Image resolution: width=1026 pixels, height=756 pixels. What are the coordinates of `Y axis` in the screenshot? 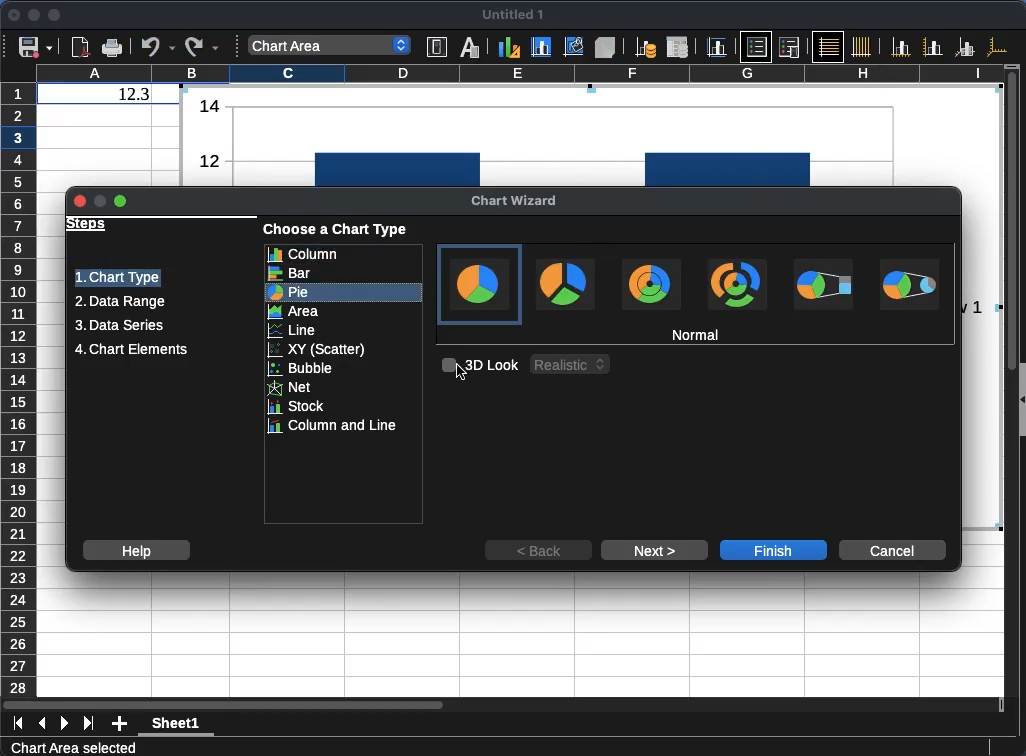 It's located at (933, 46).